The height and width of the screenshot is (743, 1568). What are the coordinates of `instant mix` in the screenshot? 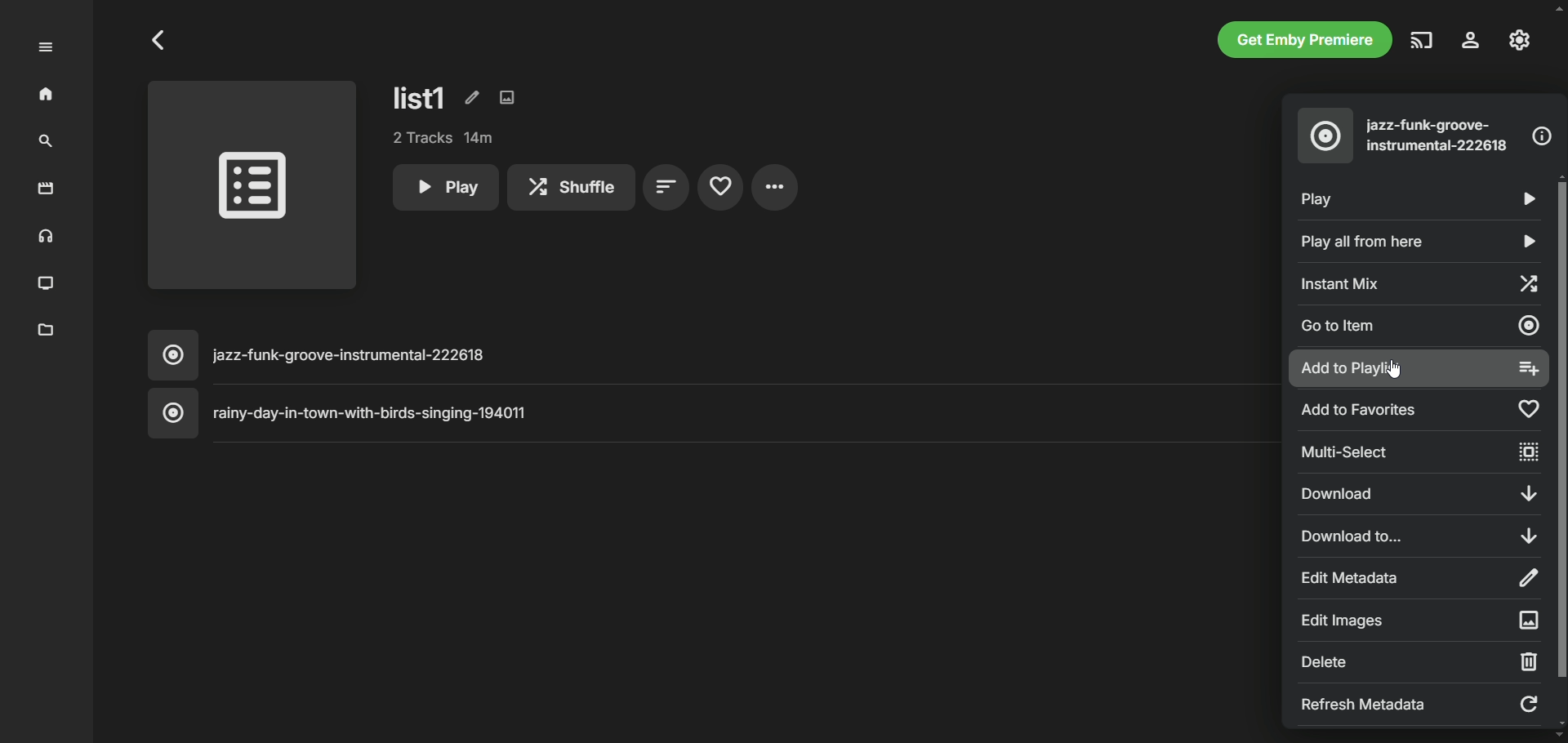 It's located at (1417, 282).